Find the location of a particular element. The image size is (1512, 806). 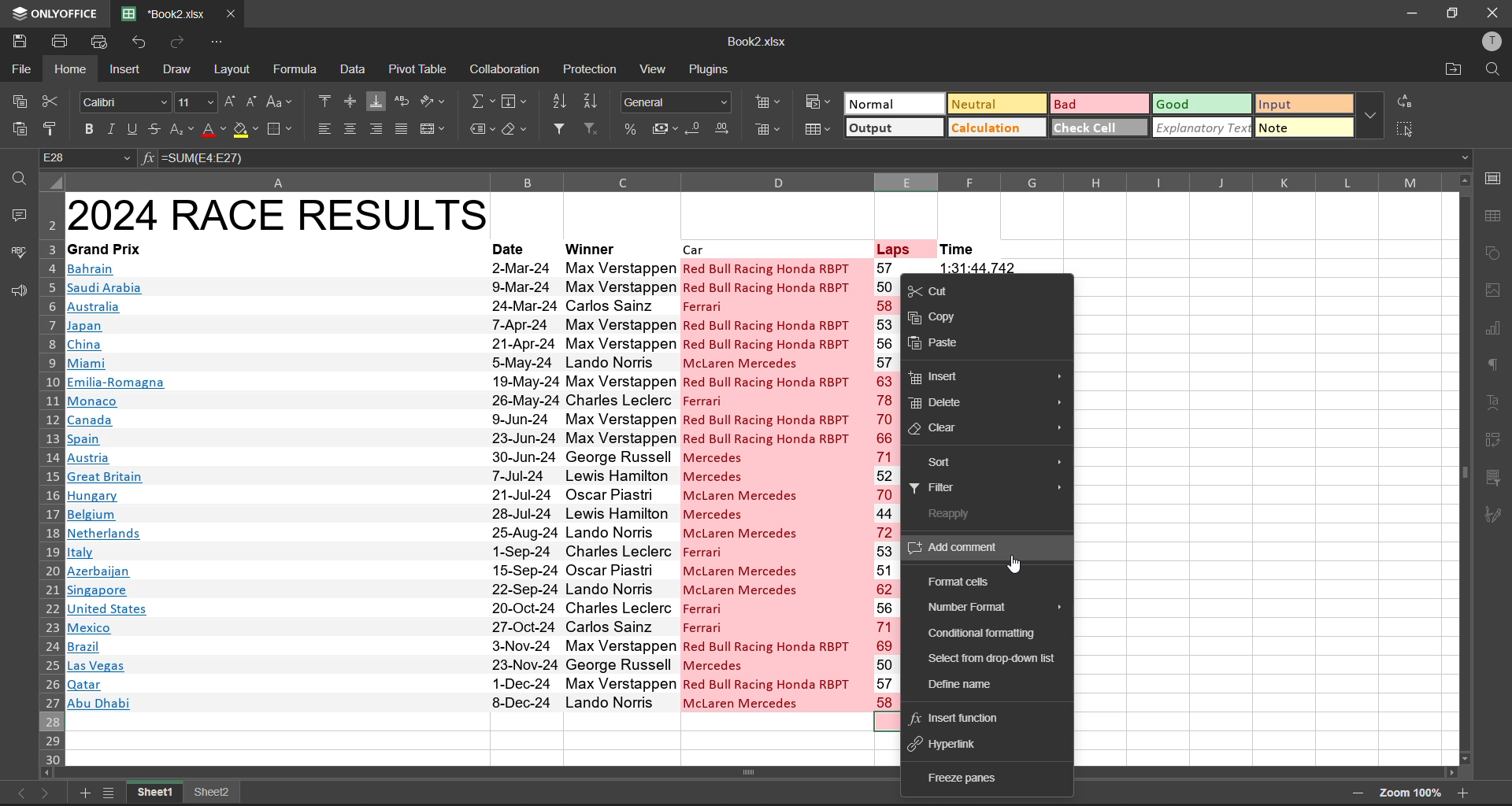

find is located at coordinates (1494, 70).